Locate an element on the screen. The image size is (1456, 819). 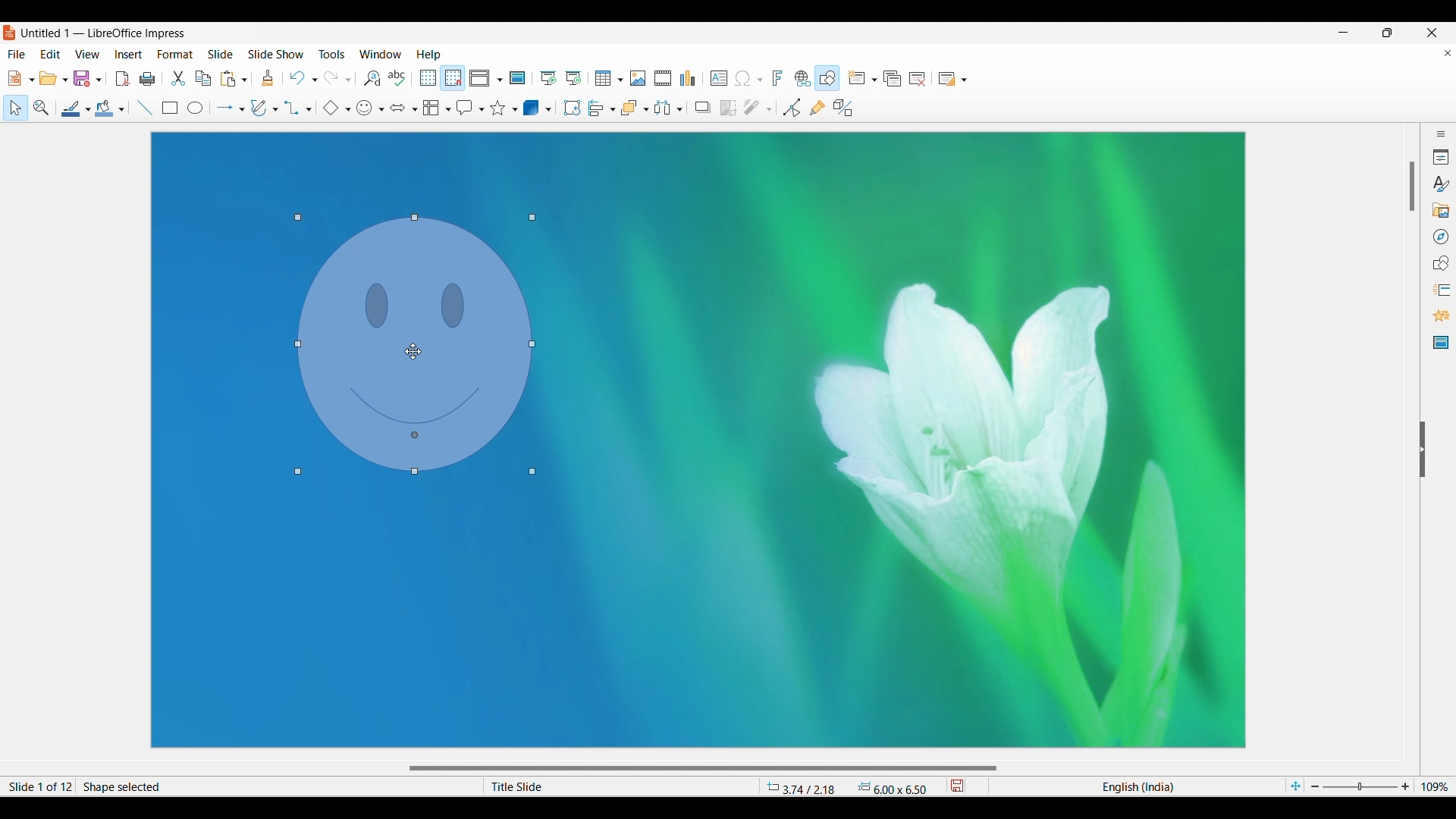
New slide options is located at coordinates (874, 80).